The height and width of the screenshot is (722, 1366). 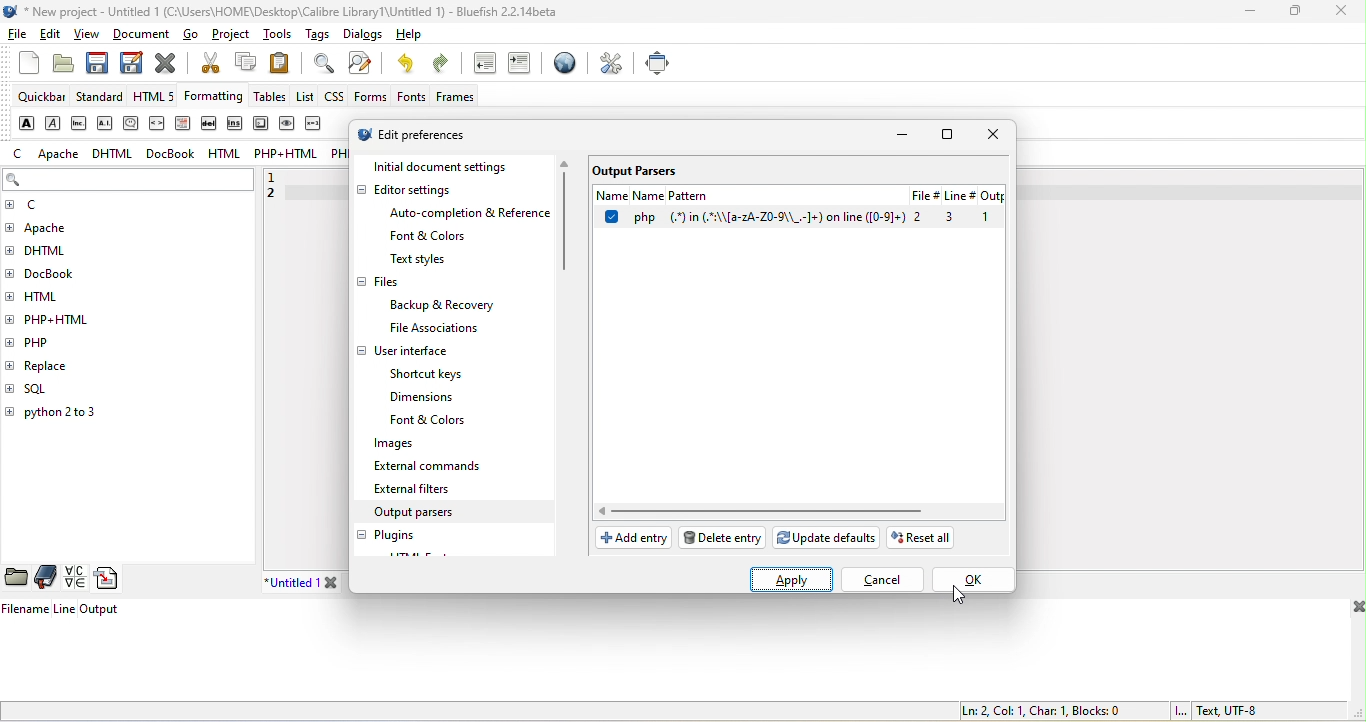 What do you see at coordinates (829, 536) in the screenshot?
I see `update defaults` at bounding box center [829, 536].